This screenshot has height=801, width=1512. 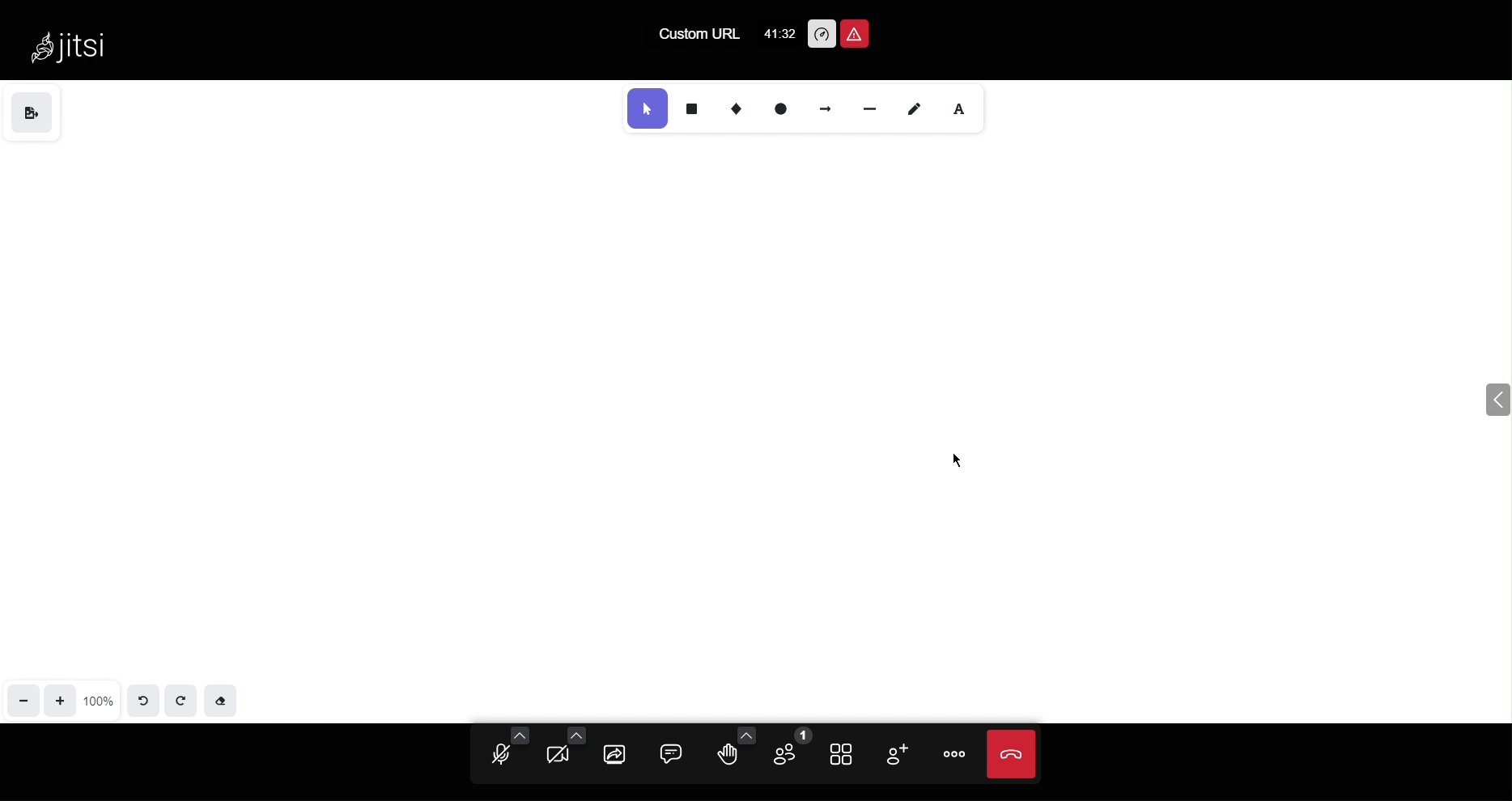 I want to click on Custom URL, so click(x=696, y=32).